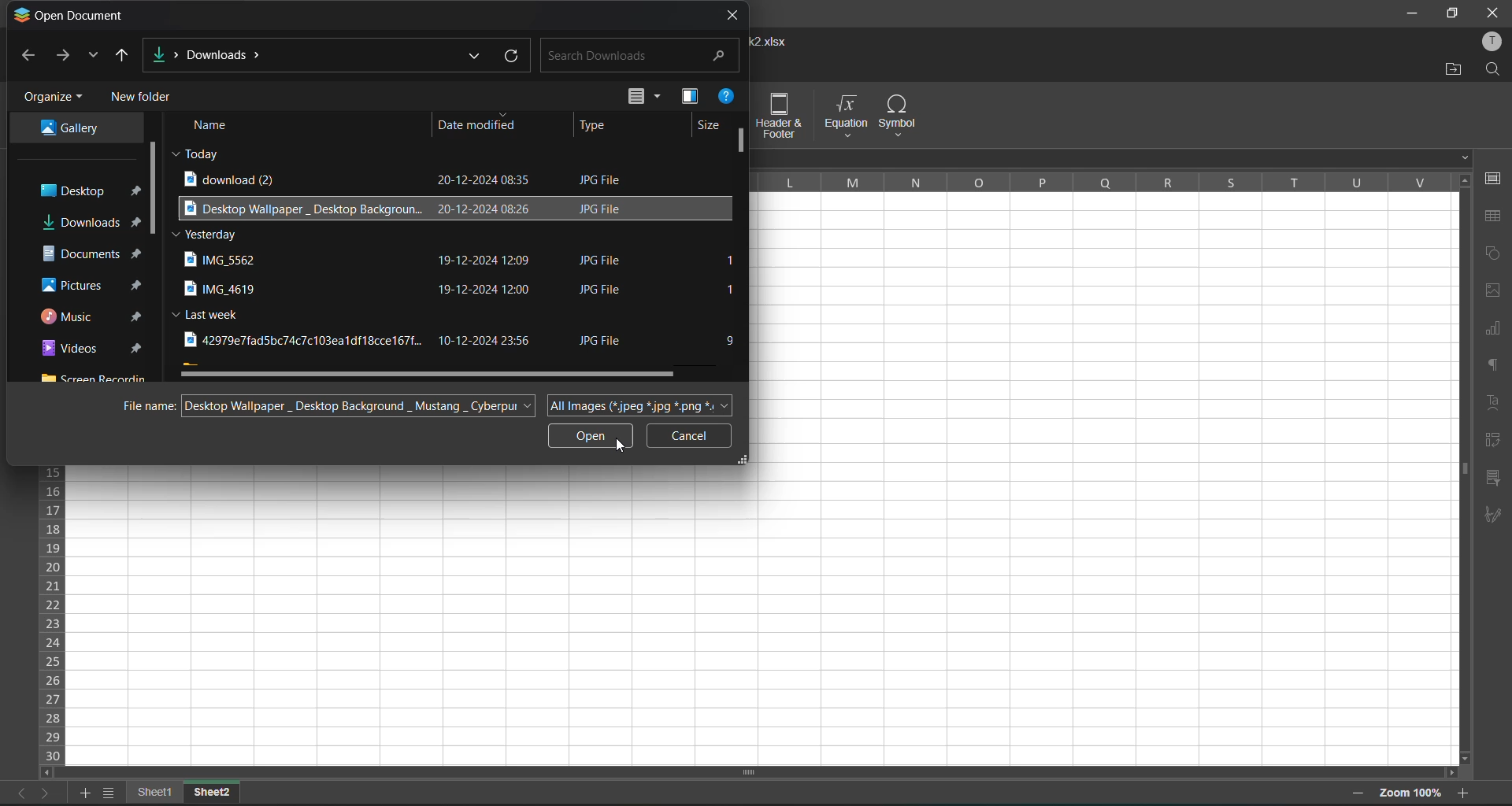 The image size is (1512, 806). I want to click on paragraph, so click(1496, 370).